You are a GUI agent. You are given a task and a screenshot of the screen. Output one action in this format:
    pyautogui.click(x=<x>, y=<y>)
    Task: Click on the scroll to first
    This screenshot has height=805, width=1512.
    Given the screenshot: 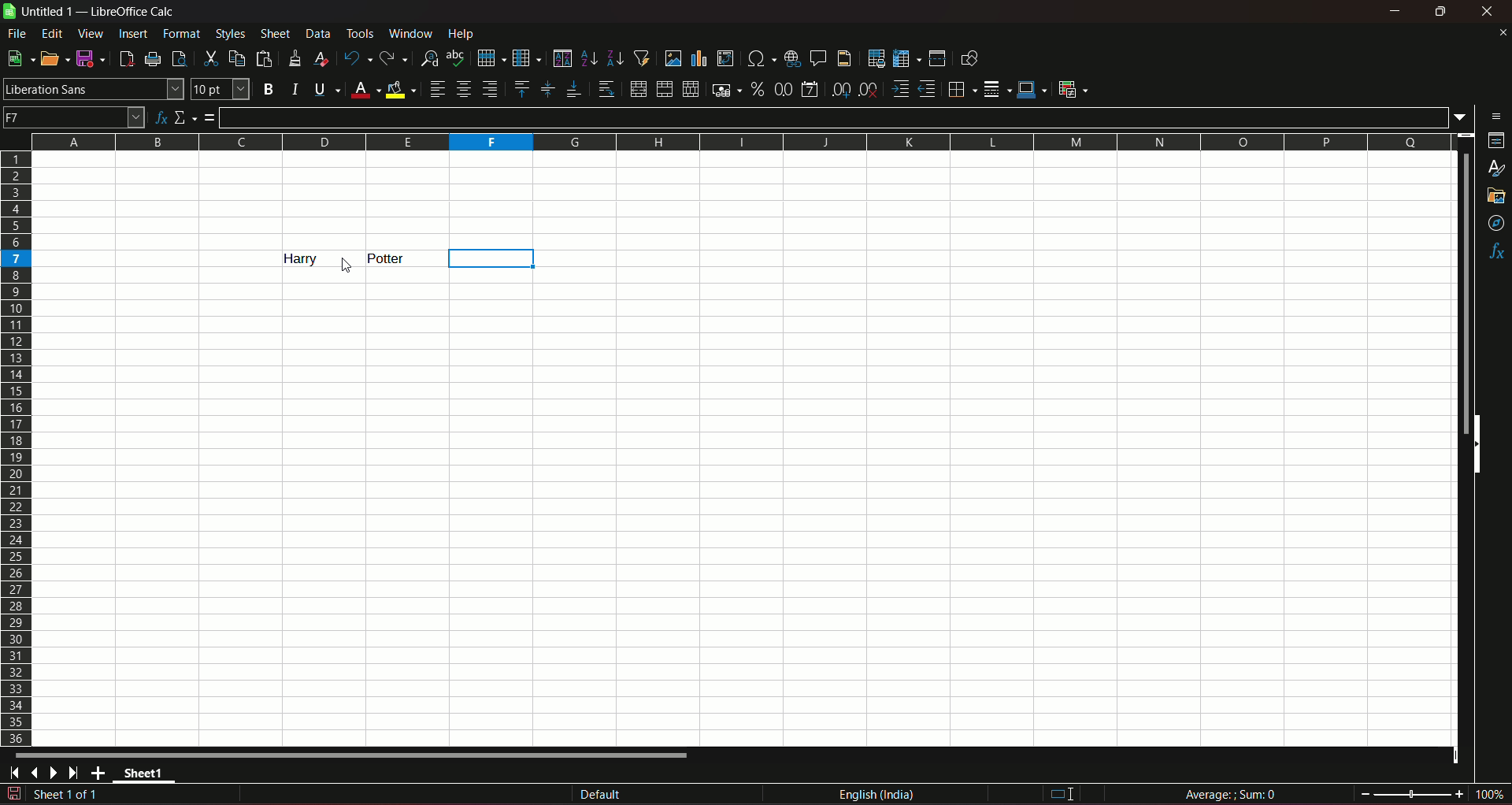 What is the action you would take?
    pyautogui.click(x=9, y=775)
    